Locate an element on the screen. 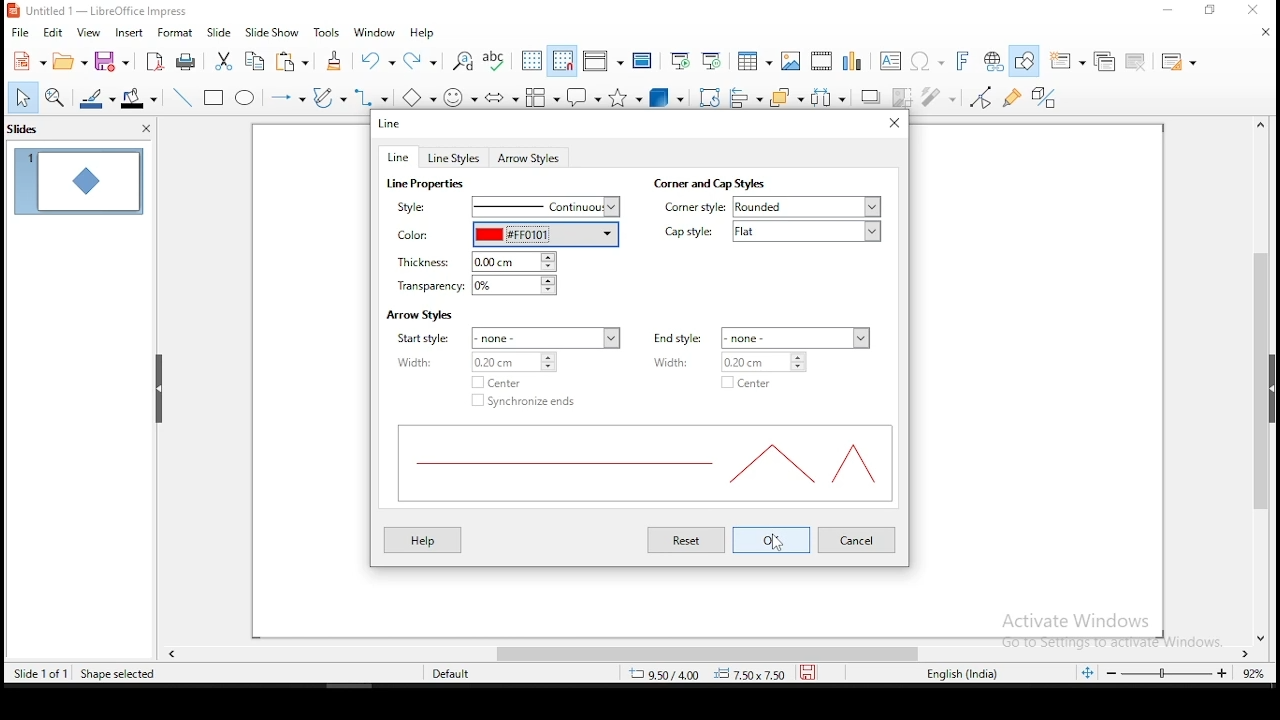  color is located at coordinates (415, 236).